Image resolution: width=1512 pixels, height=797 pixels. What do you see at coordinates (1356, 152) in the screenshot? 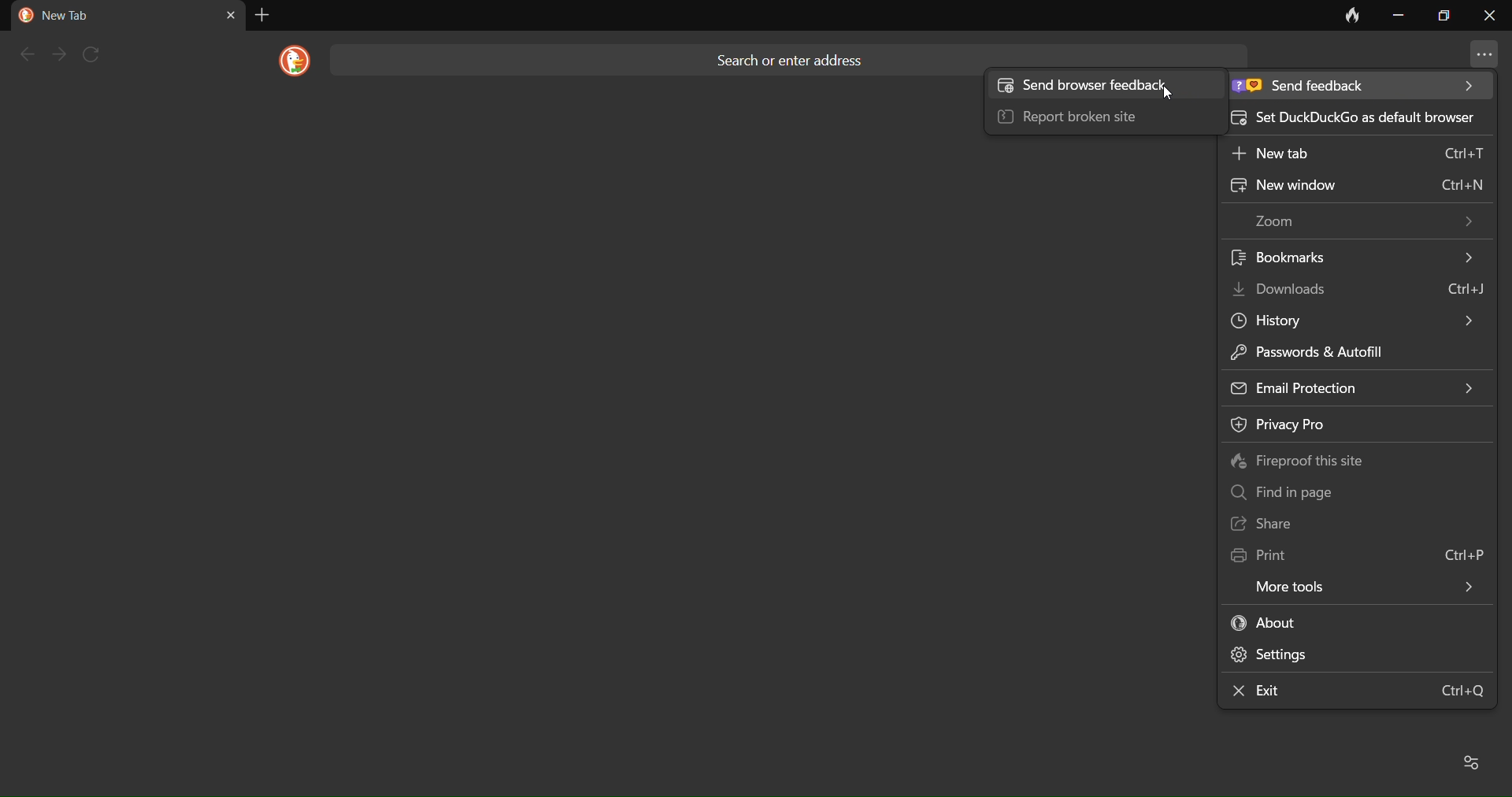
I see `new tab` at bounding box center [1356, 152].